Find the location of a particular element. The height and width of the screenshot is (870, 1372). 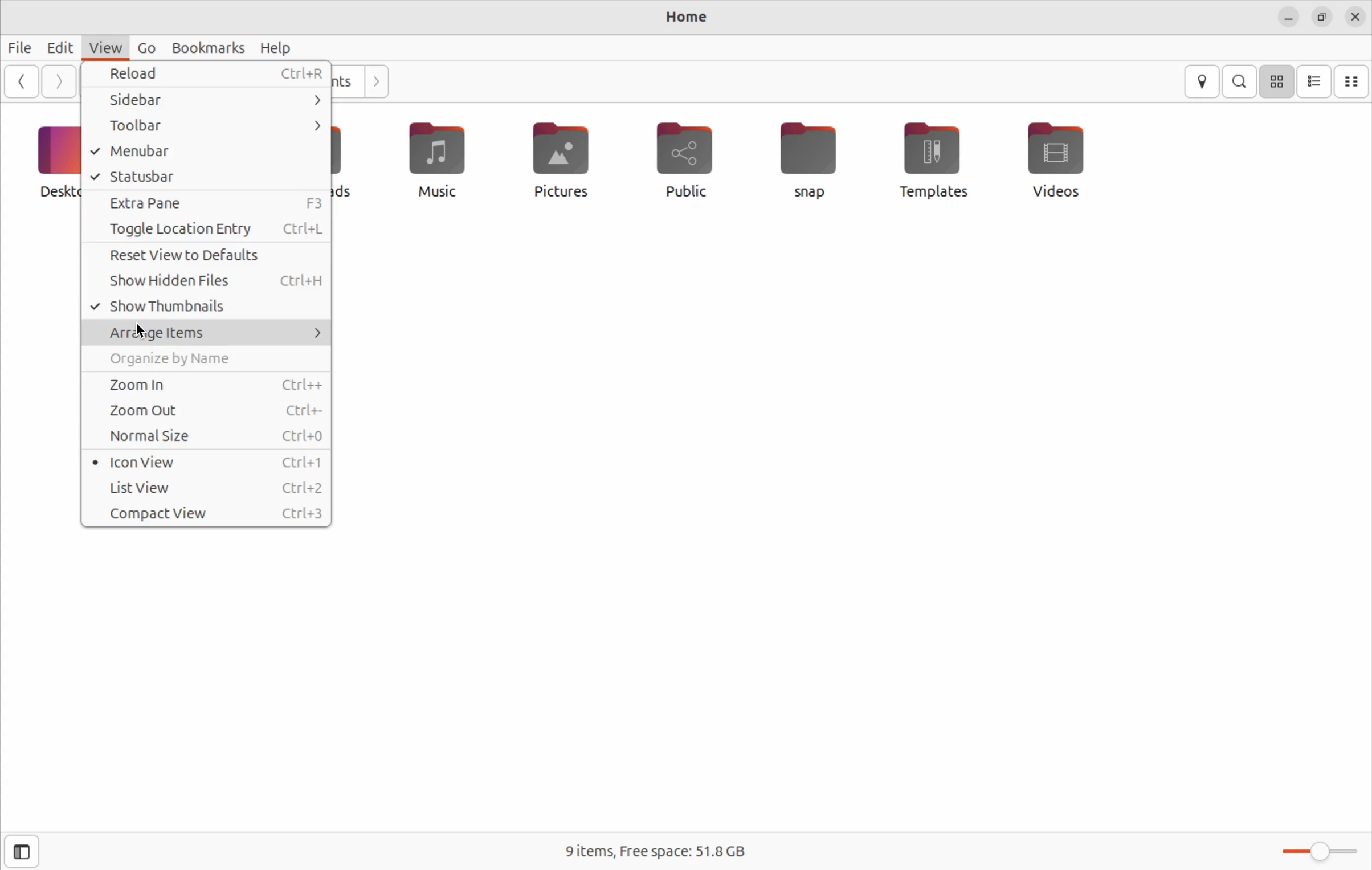

compact view is located at coordinates (1353, 80).